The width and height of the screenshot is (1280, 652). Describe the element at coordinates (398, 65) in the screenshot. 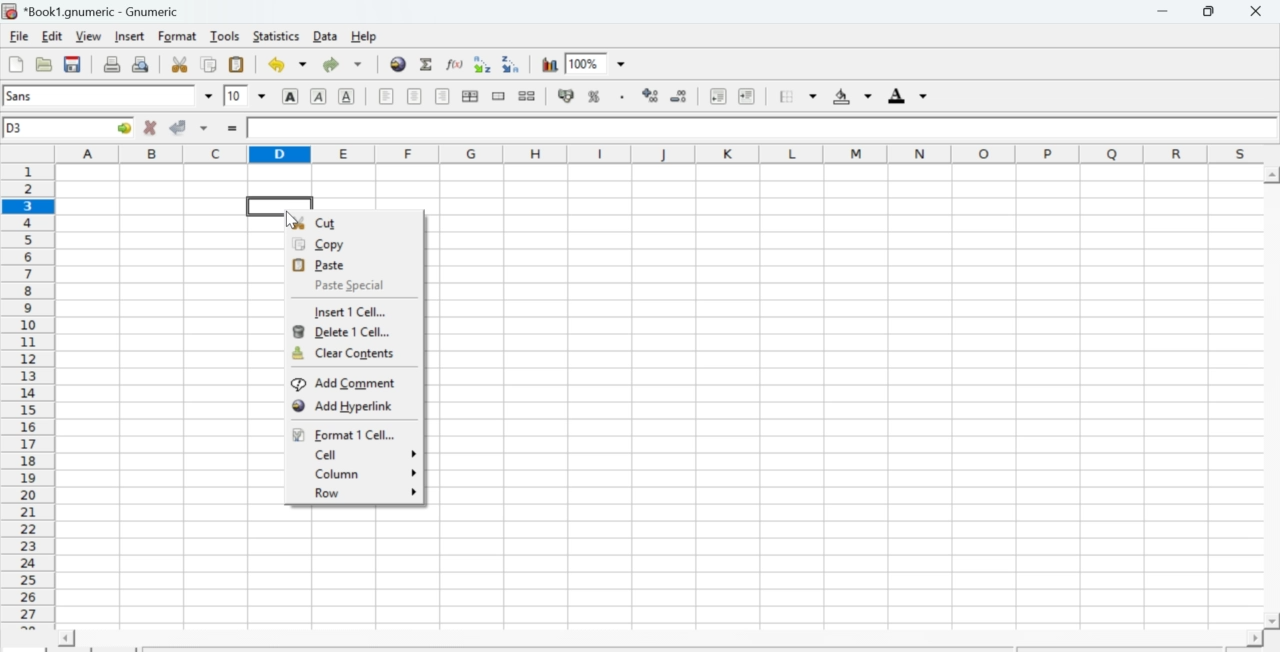

I see `Hyperlink` at that location.